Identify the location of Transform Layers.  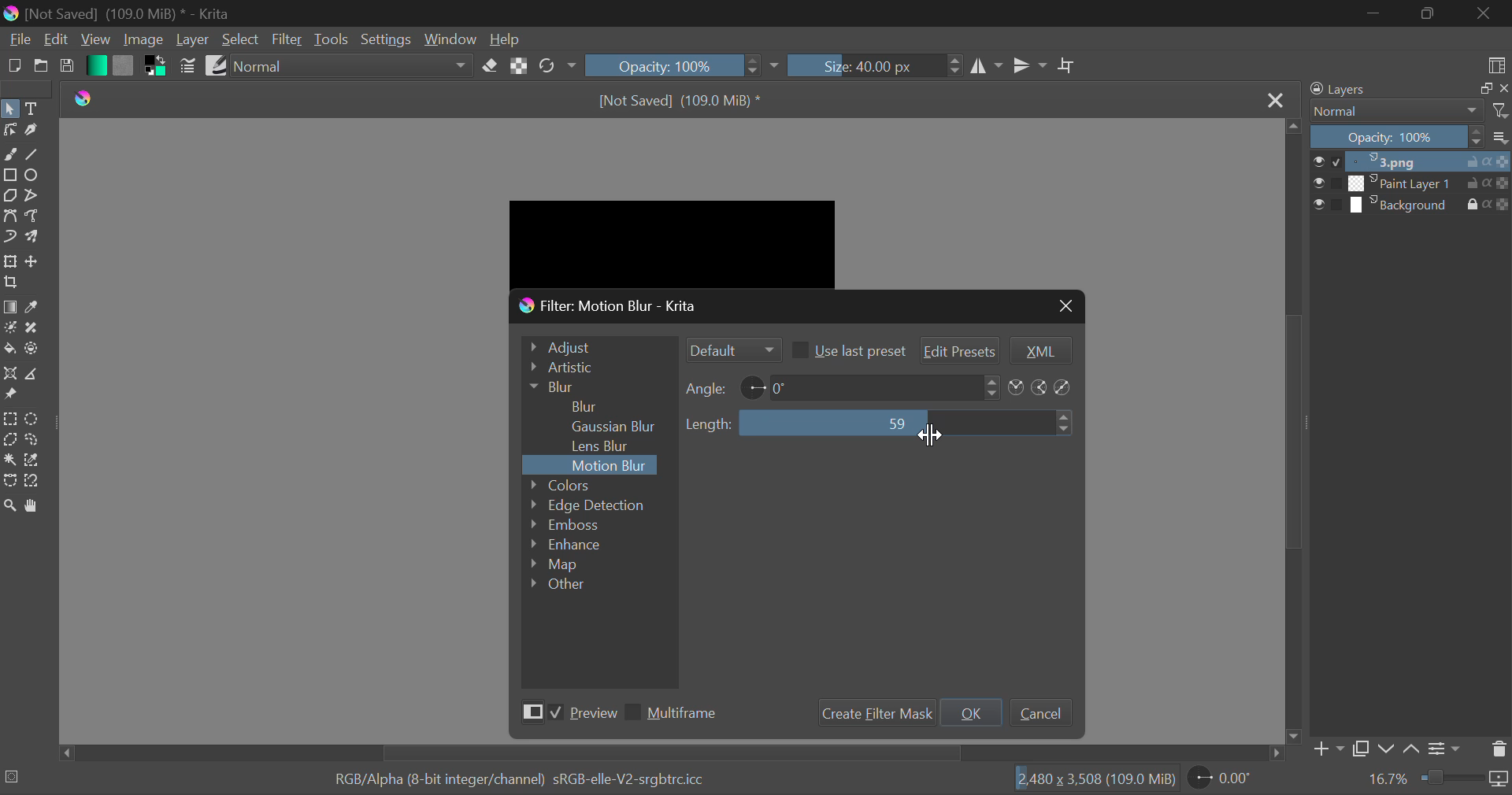
(10, 262).